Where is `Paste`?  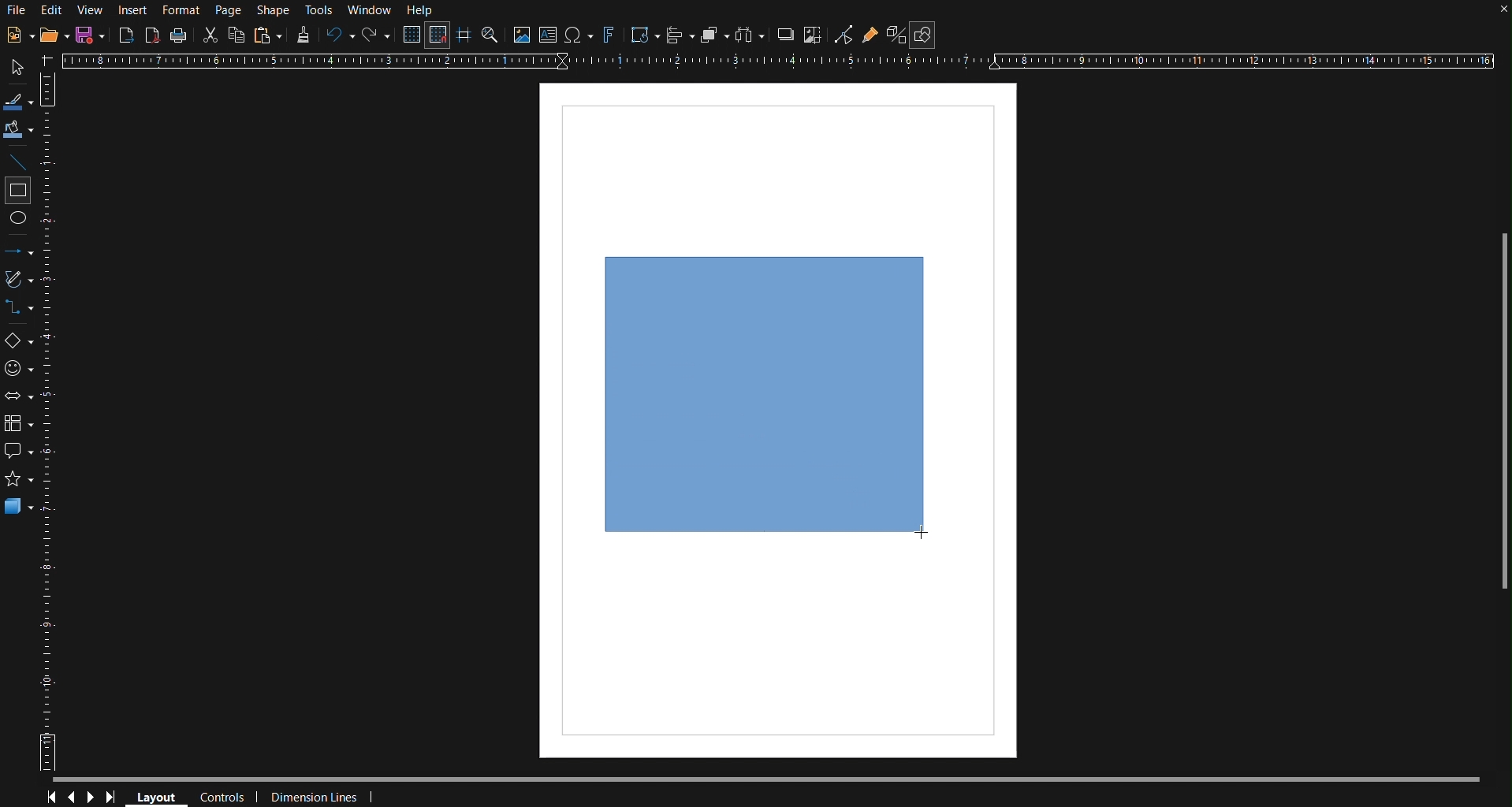 Paste is located at coordinates (268, 35).